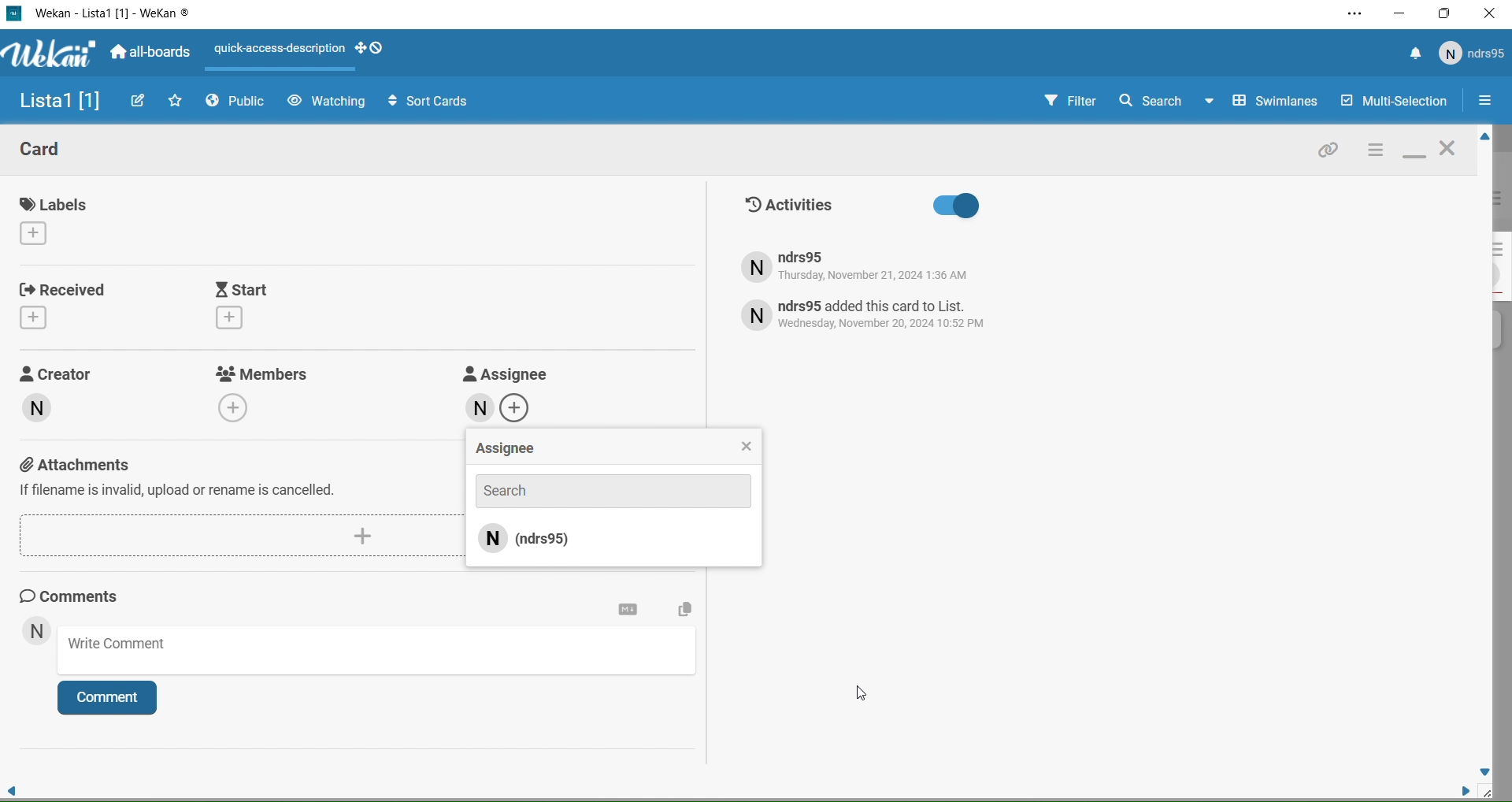  Describe the element at coordinates (1353, 15) in the screenshot. I see `Settings and more` at that location.